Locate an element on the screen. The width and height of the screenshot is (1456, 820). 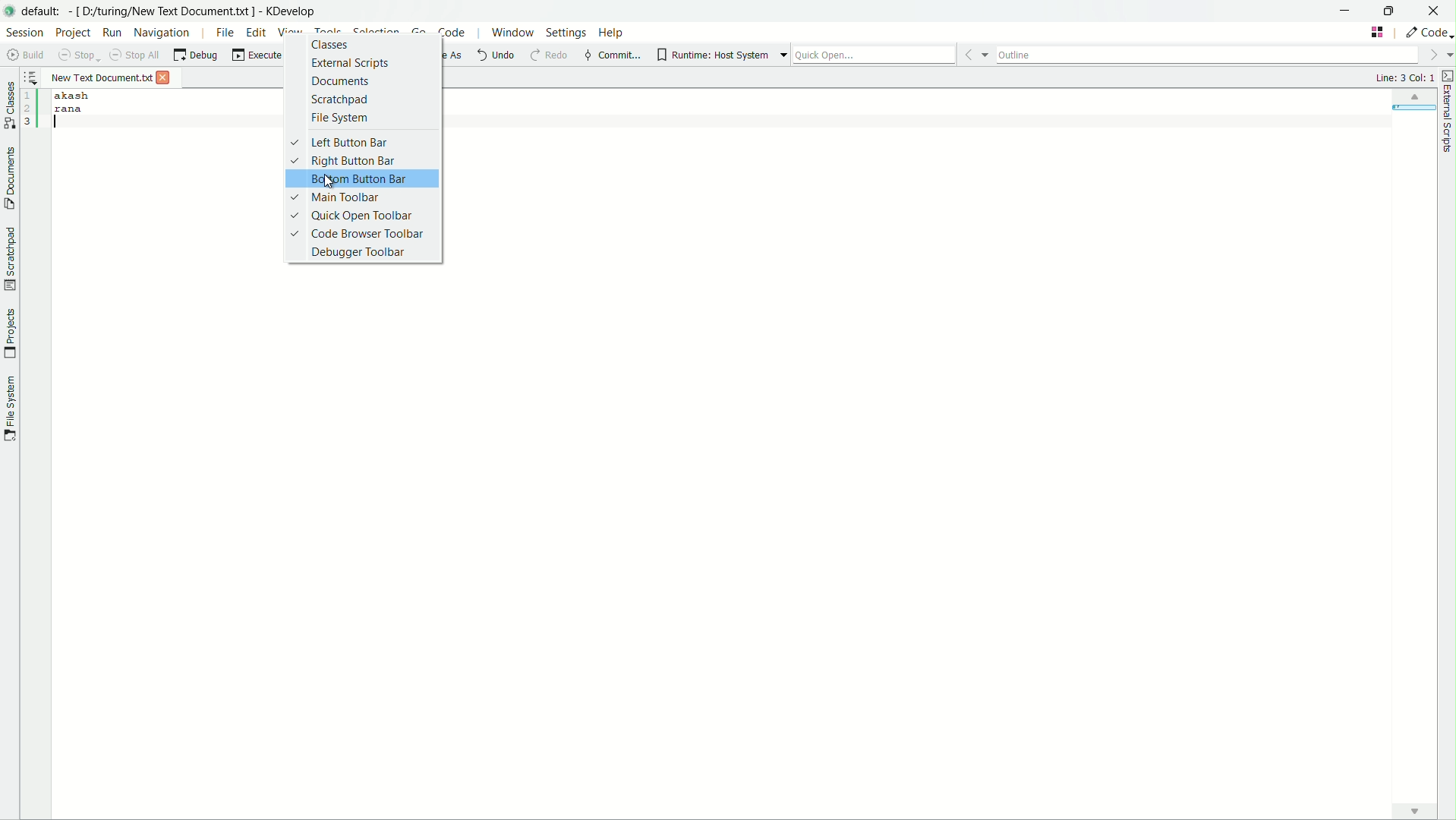
window menu is located at coordinates (510, 33).